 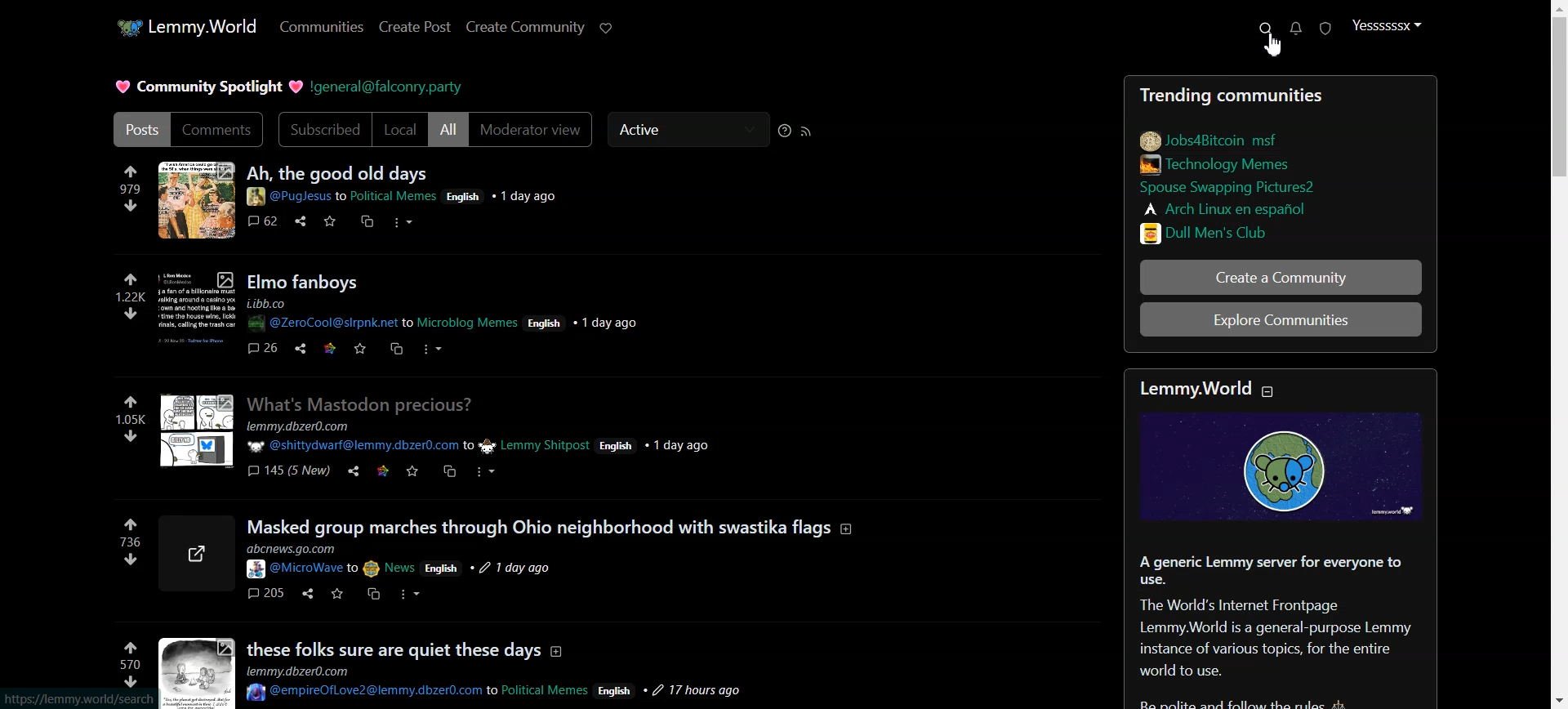 I want to click on Text, so click(x=1278, y=631).